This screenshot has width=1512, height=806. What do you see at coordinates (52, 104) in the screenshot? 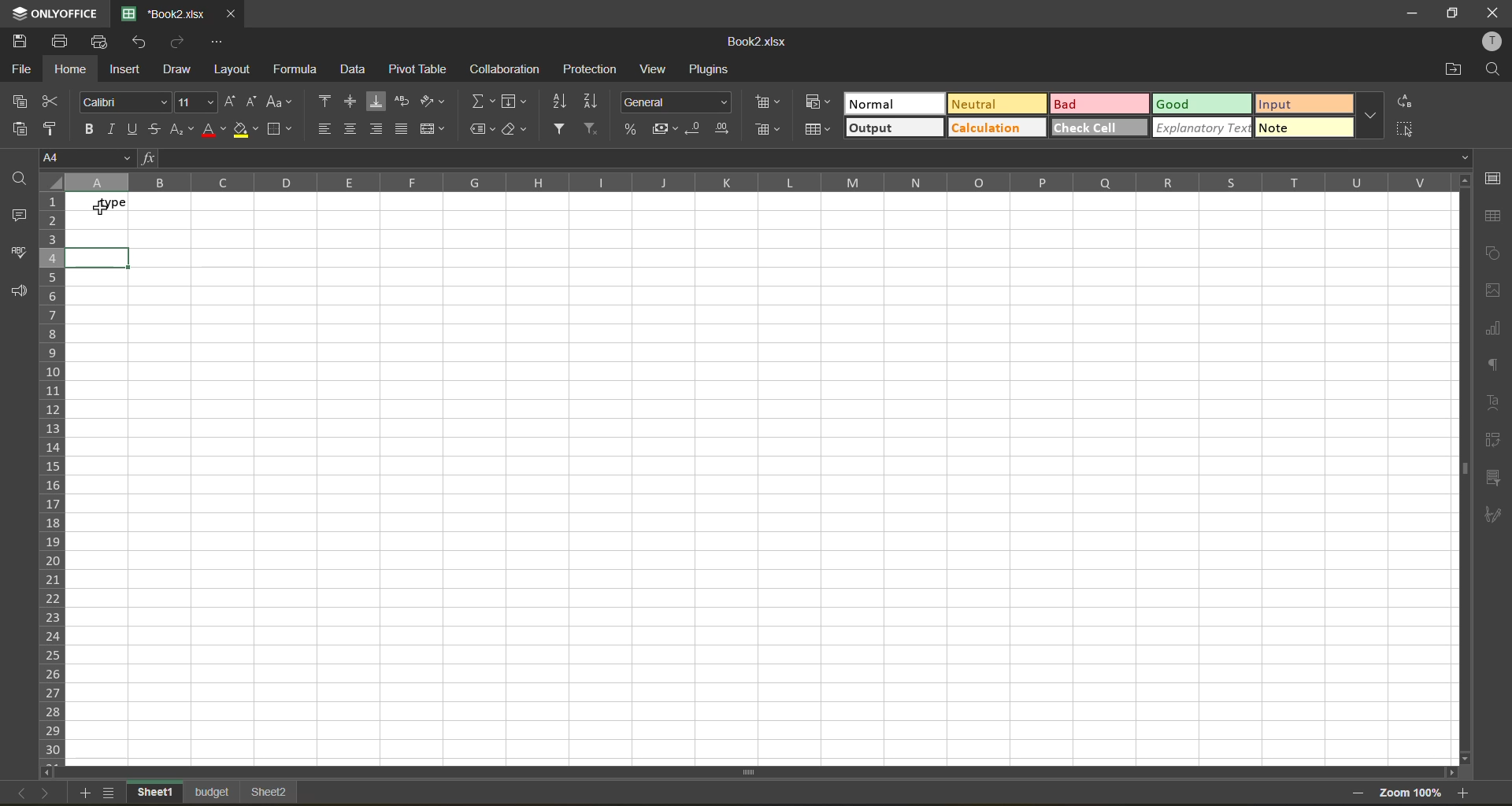
I see `cut` at bounding box center [52, 104].